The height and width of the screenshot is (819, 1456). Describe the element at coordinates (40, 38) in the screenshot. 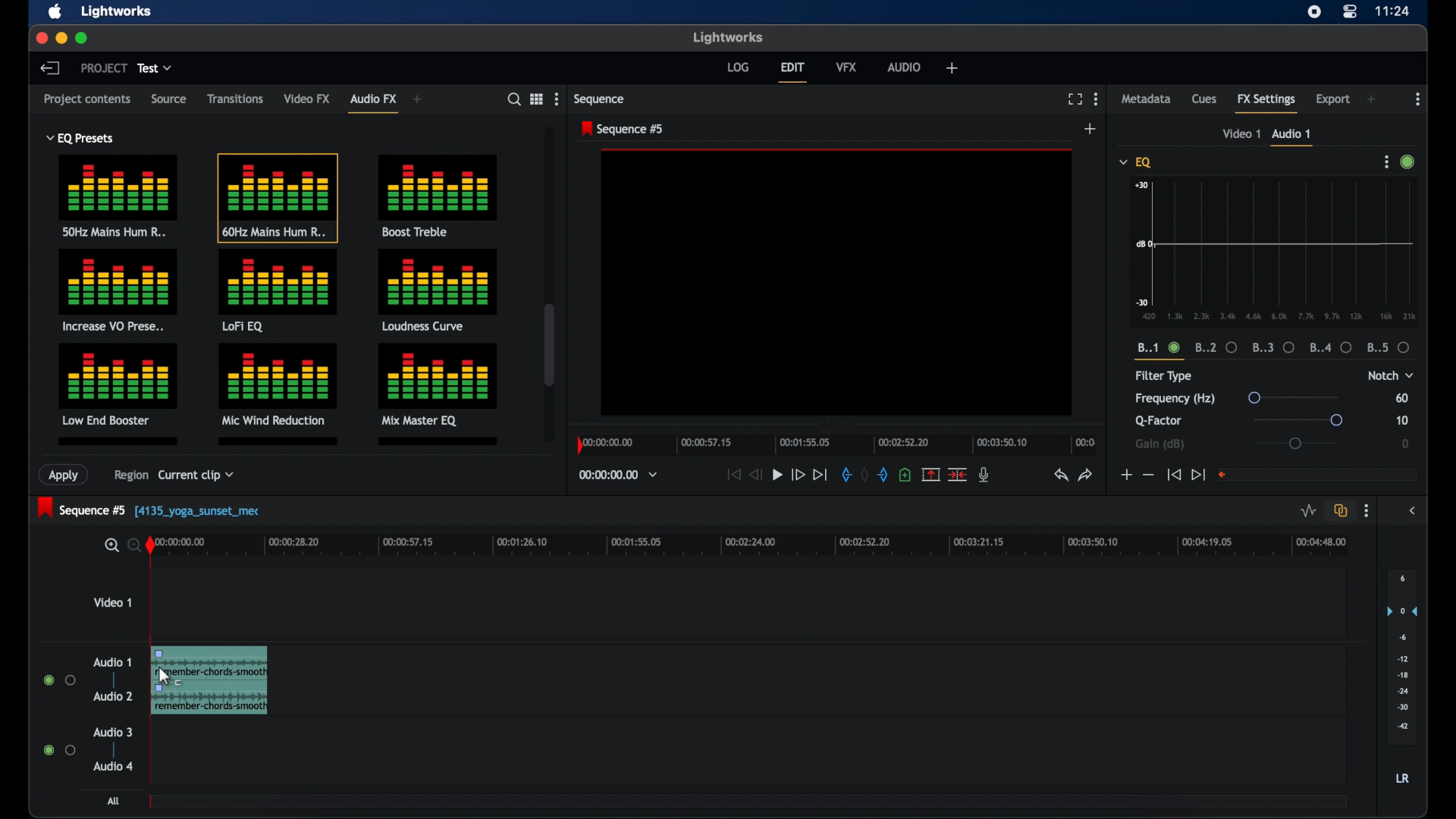

I see `close` at that location.